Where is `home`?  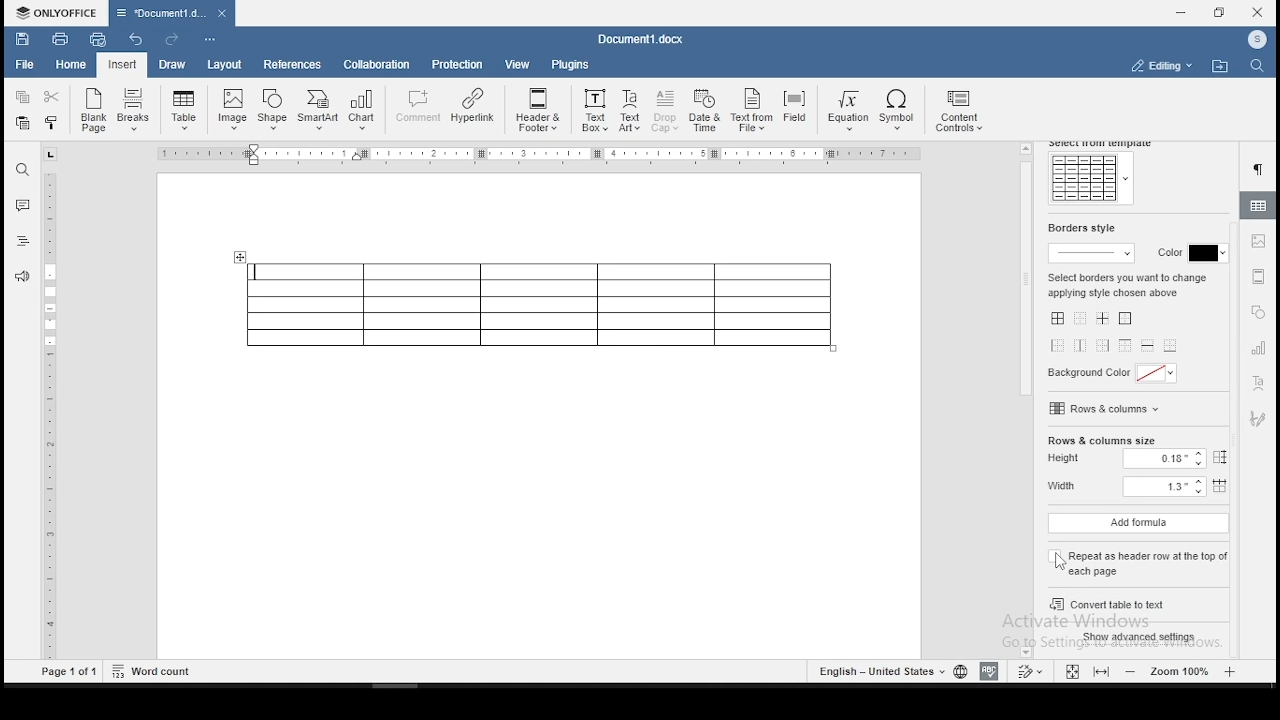 home is located at coordinates (71, 65).